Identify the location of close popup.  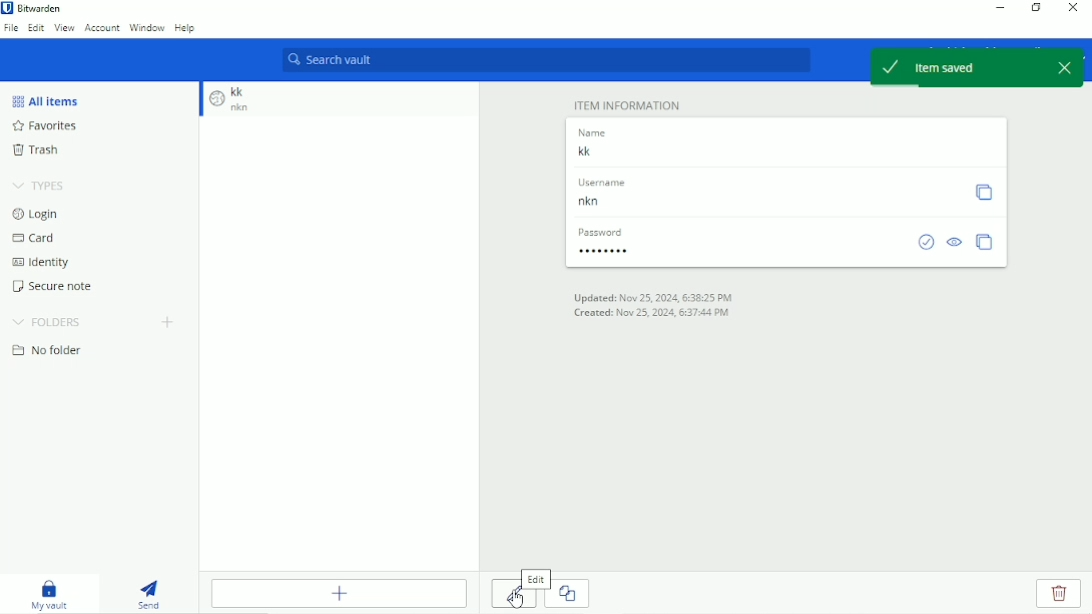
(1070, 70).